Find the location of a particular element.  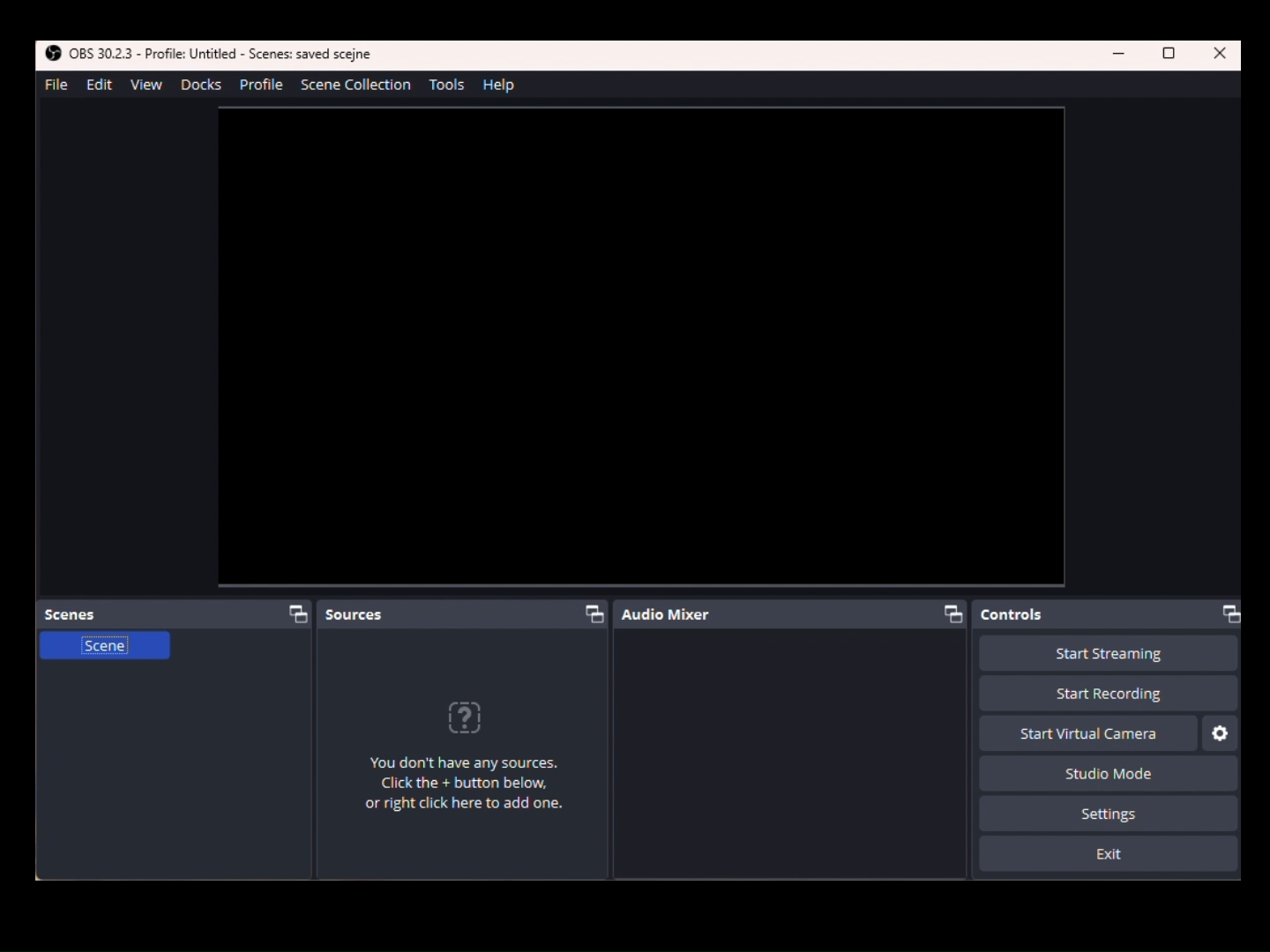

Exit is located at coordinates (1109, 855).